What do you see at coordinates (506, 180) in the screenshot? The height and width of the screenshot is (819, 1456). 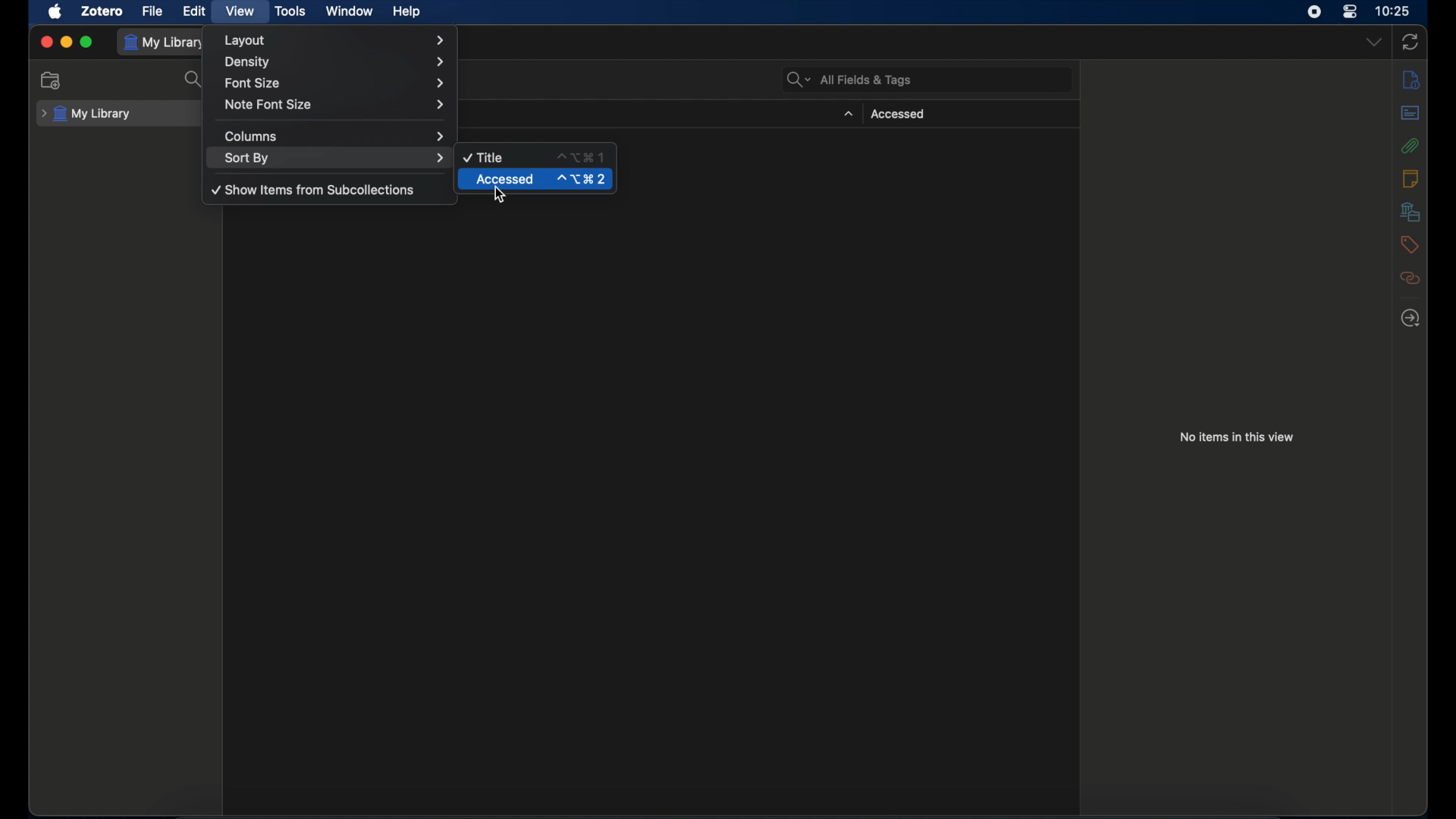 I see `accessed` at bounding box center [506, 180].